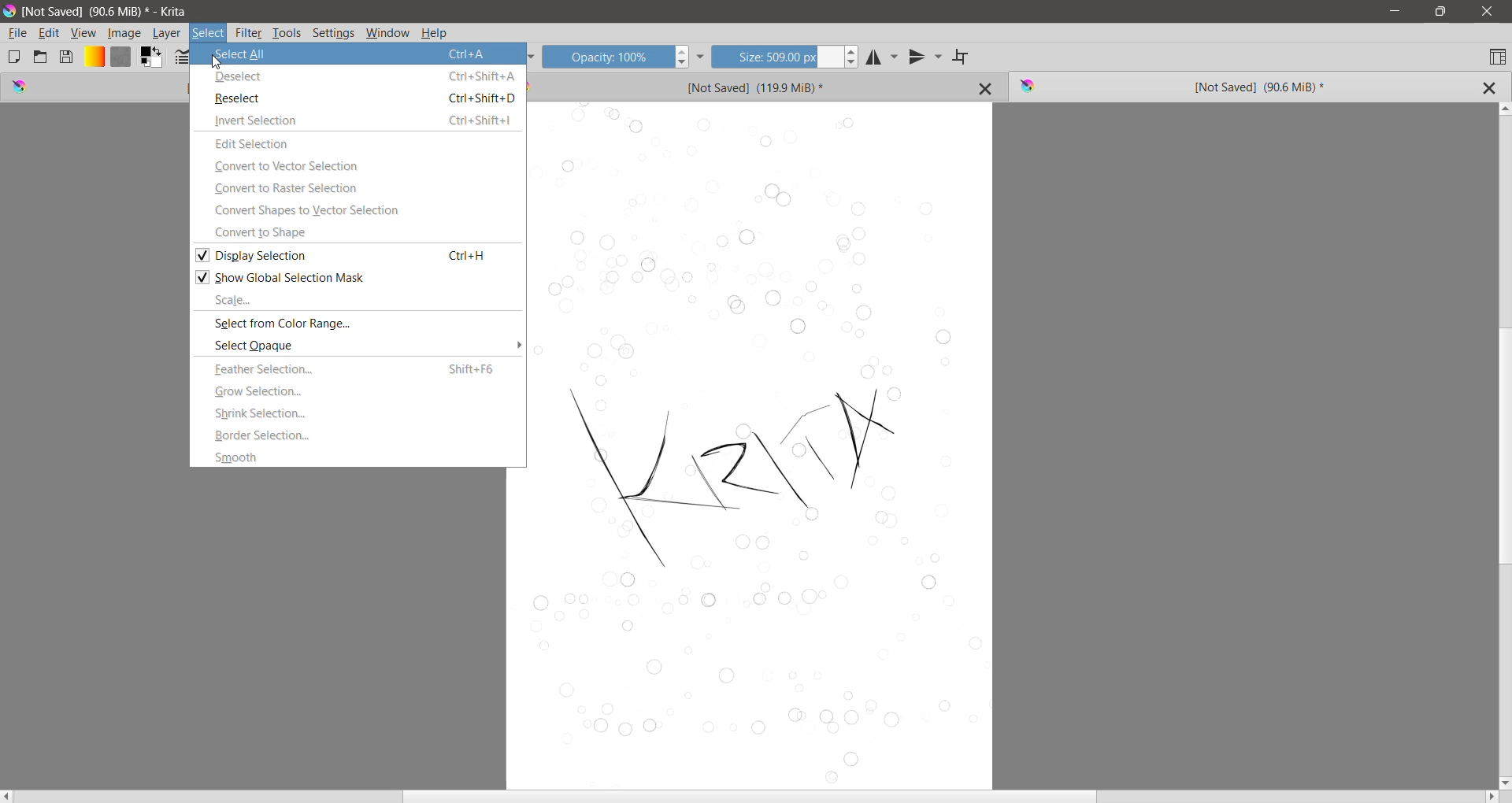 Image resolution: width=1512 pixels, height=803 pixels. I want to click on Layer, so click(168, 33).